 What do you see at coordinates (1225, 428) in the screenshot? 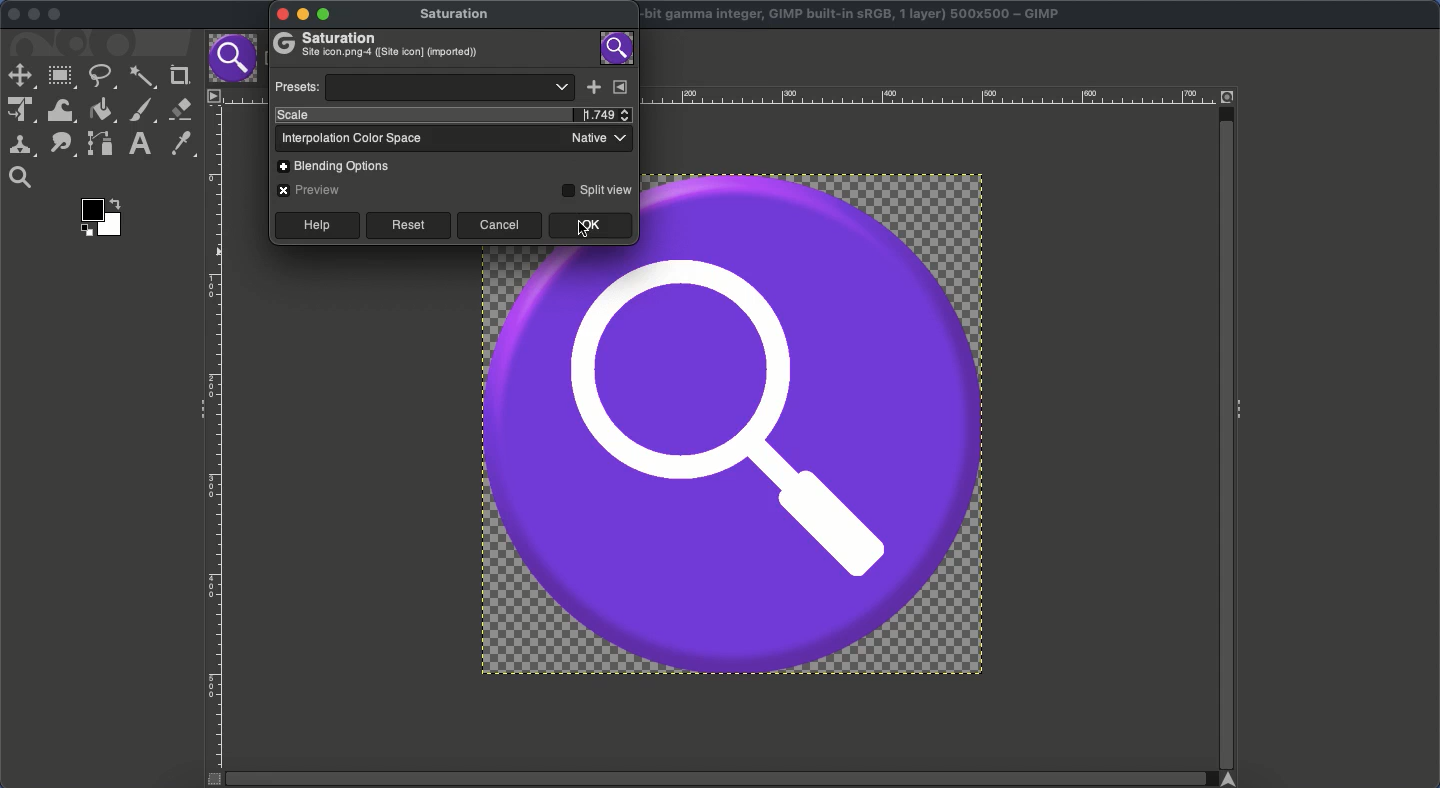
I see `Scroll` at bounding box center [1225, 428].